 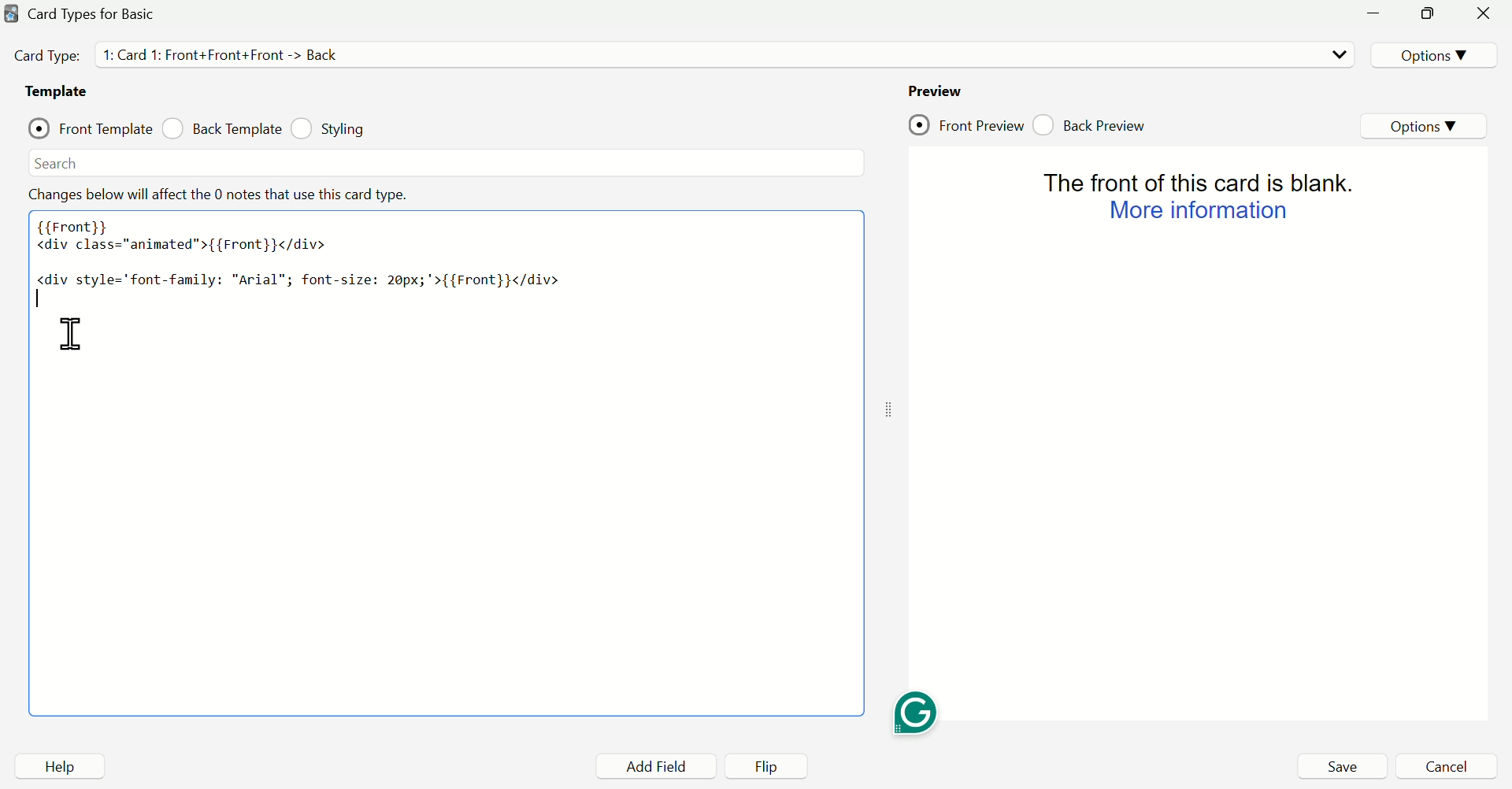 What do you see at coordinates (1425, 124) in the screenshot?
I see `Options` at bounding box center [1425, 124].